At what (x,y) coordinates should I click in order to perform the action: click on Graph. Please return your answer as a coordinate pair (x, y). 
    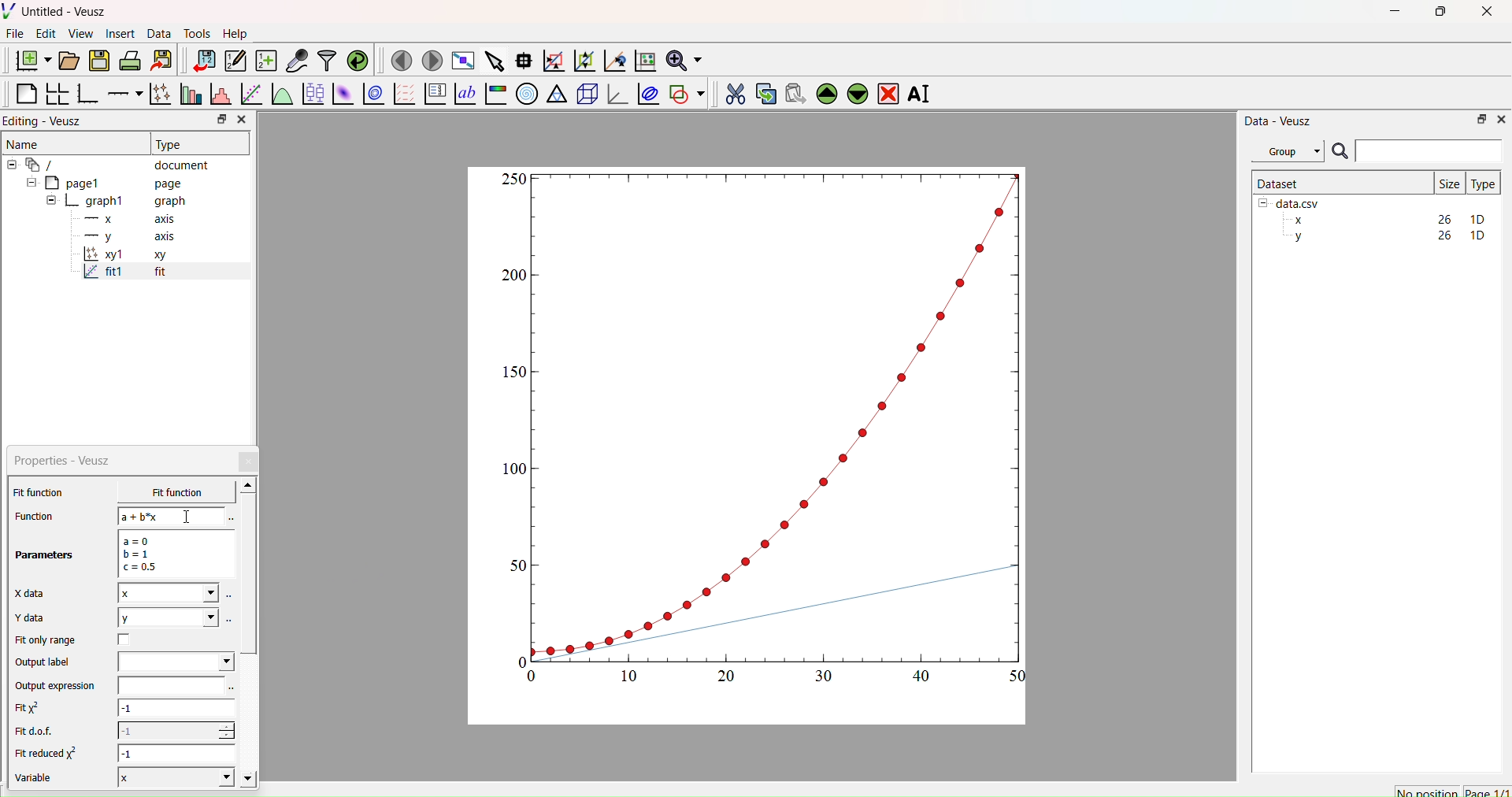
    Looking at the image, I should click on (766, 427).